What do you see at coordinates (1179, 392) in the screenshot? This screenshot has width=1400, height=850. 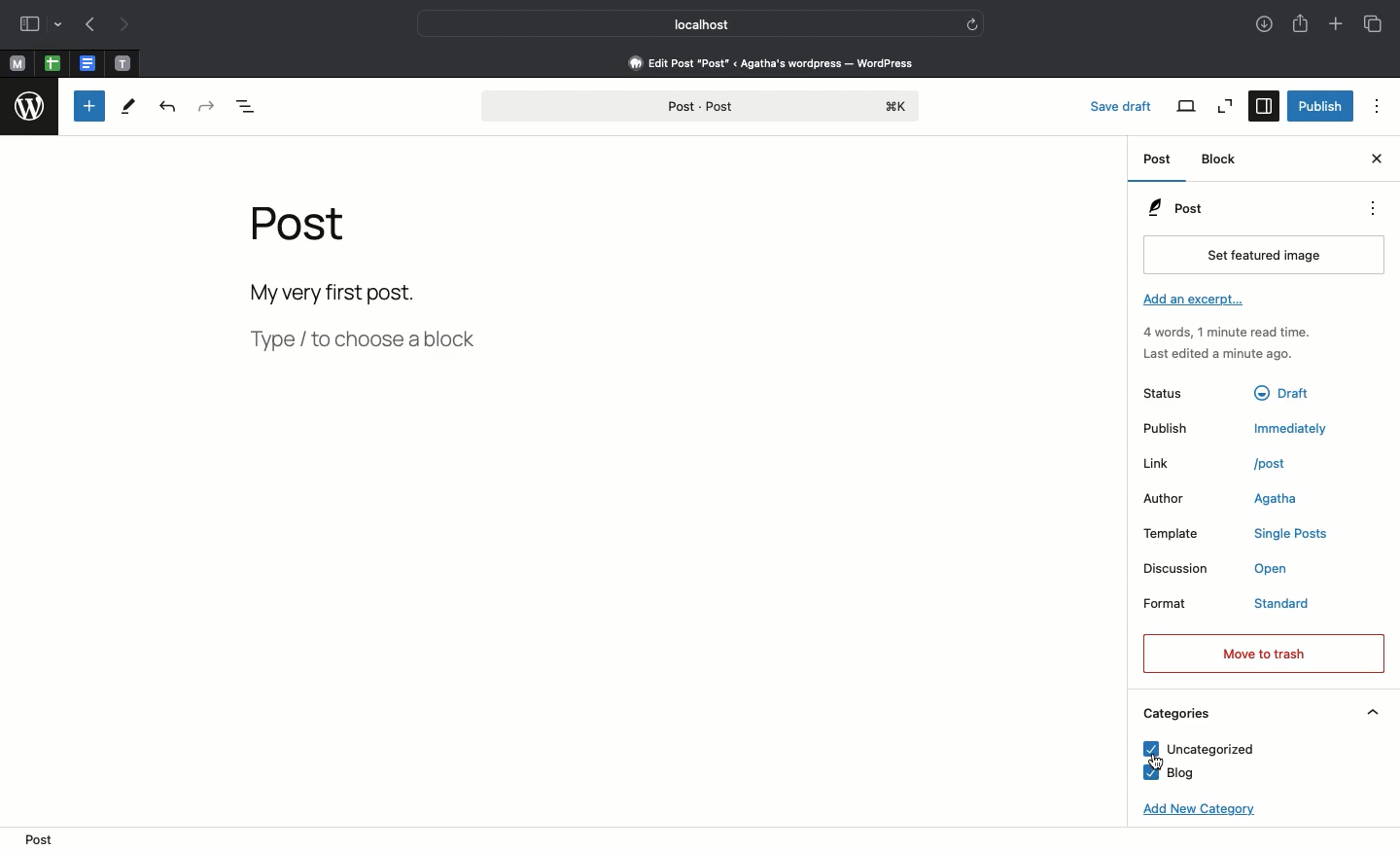 I see `Status` at bounding box center [1179, 392].